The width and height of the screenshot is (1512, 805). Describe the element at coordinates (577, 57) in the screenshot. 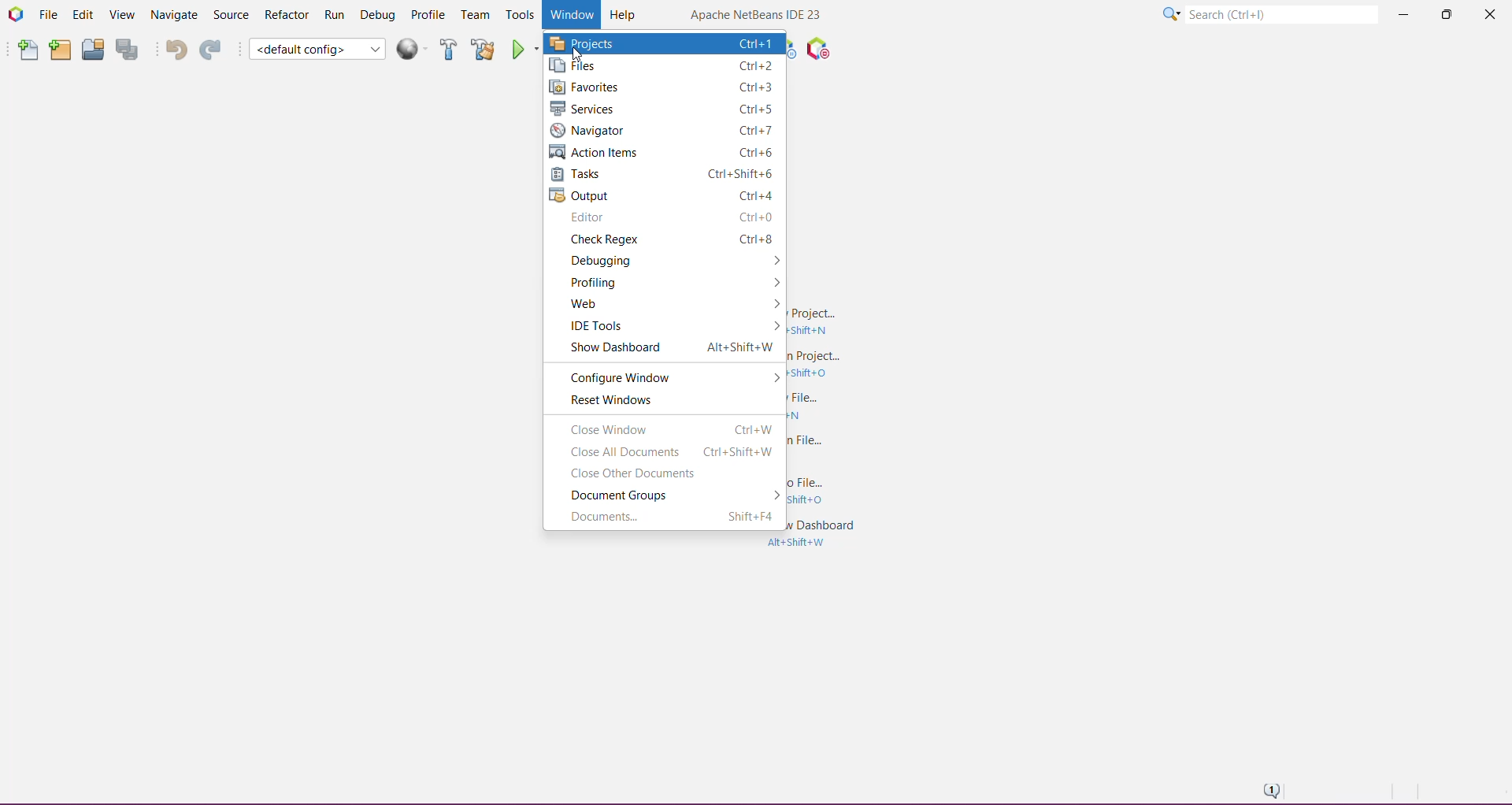

I see `cursor` at that location.